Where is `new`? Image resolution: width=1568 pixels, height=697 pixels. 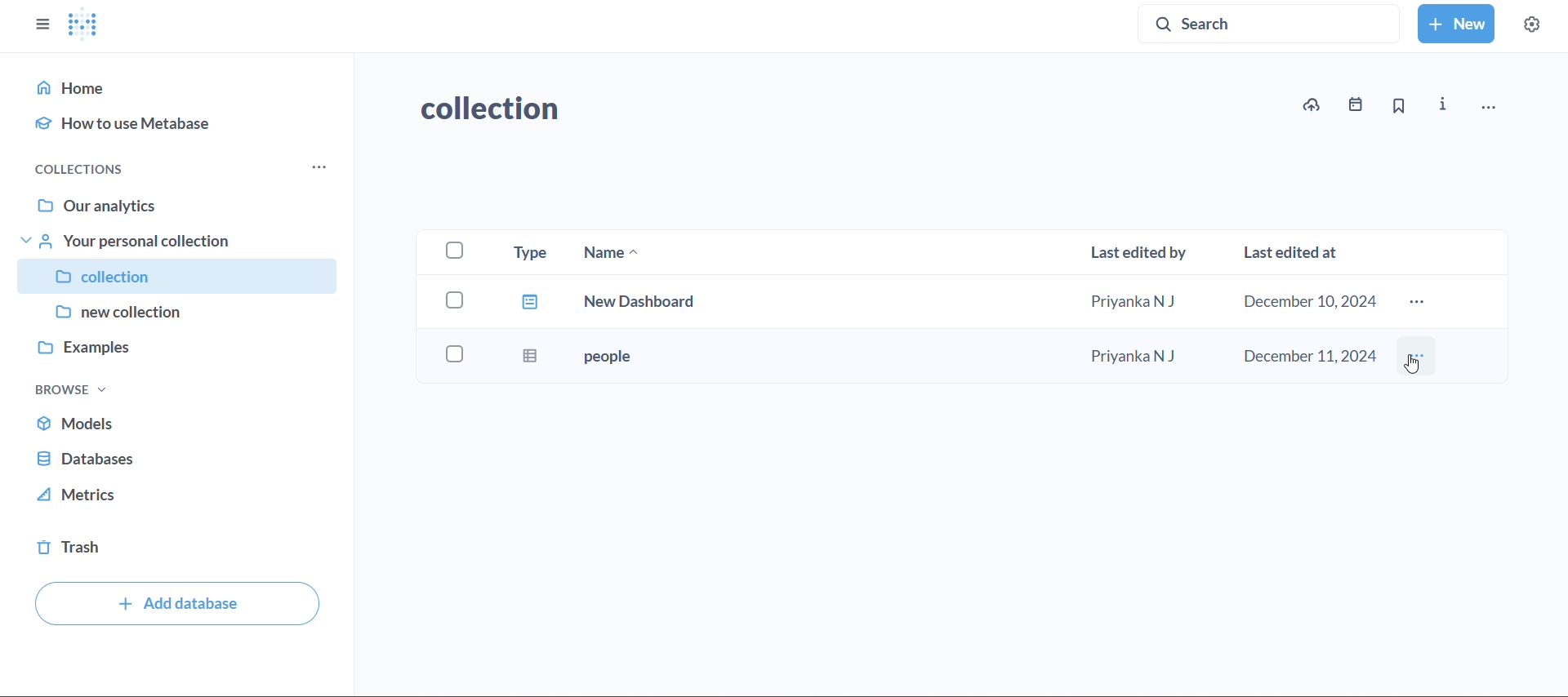
new is located at coordinates (1456, 24).